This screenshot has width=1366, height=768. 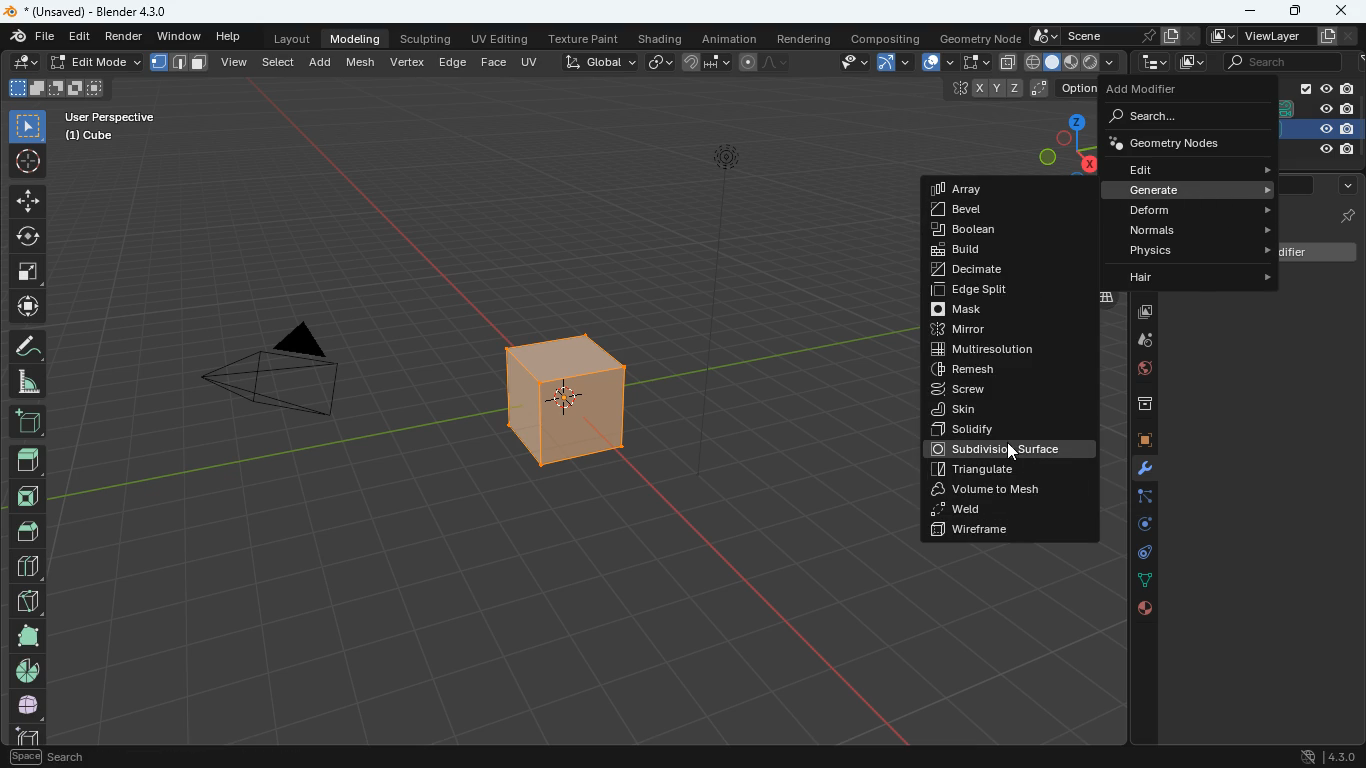 What do you see at coordinates (1001, 472) in the screenshot?
I see `triangulate` at bounding box center [1001, 472].